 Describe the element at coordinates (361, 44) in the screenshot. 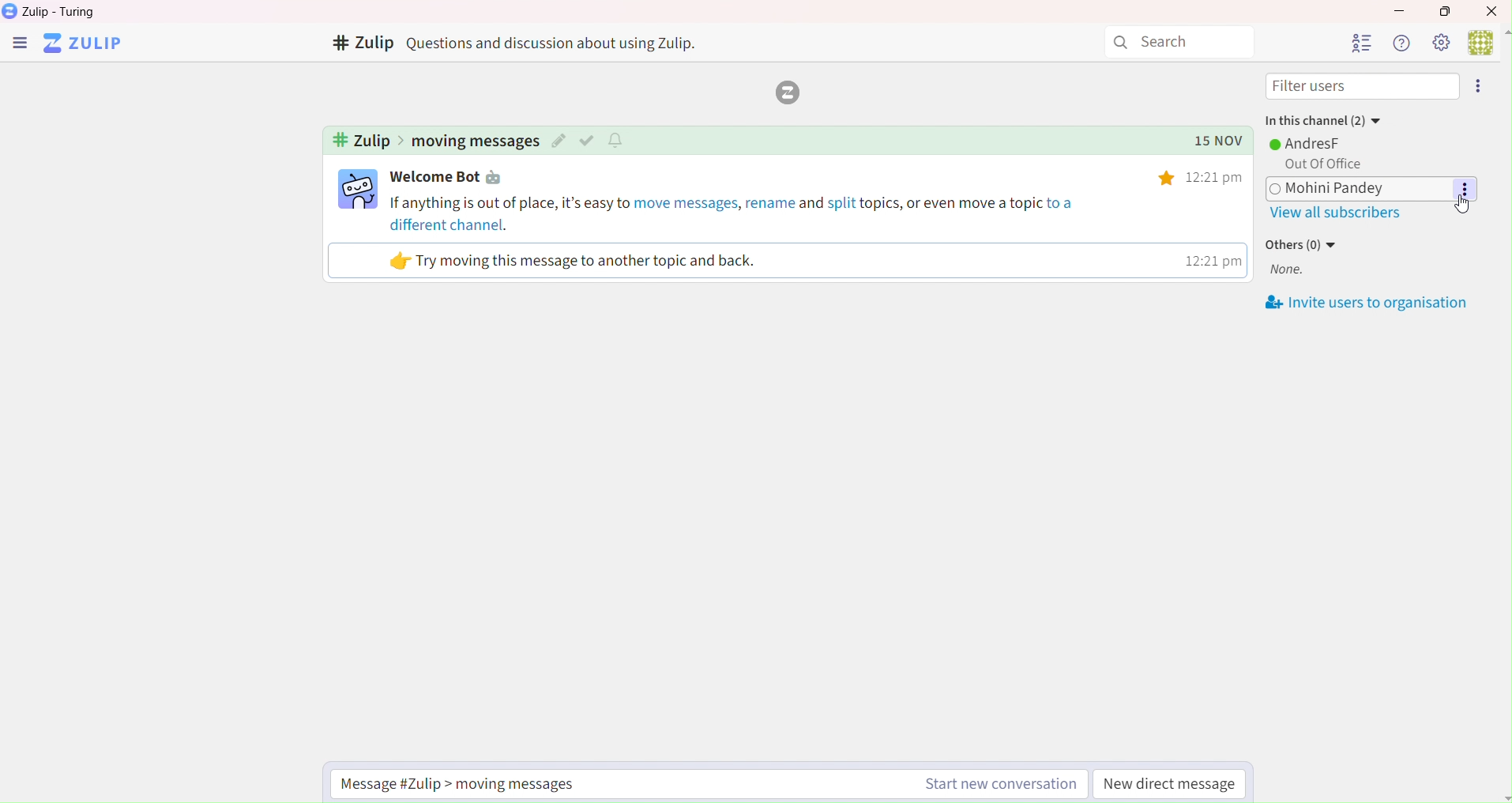

I see `# Zulip` at that location.